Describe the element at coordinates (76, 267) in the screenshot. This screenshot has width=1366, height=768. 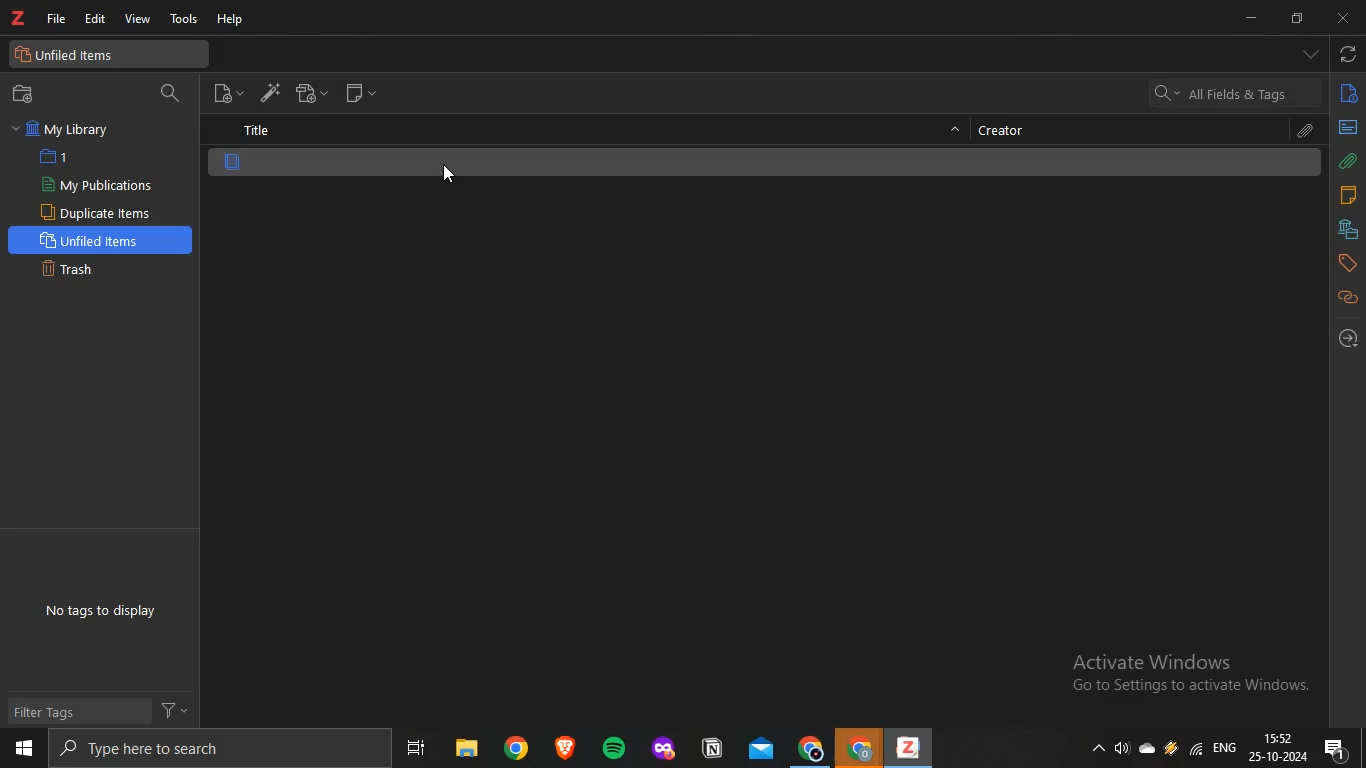
I see `Trash` at that location.